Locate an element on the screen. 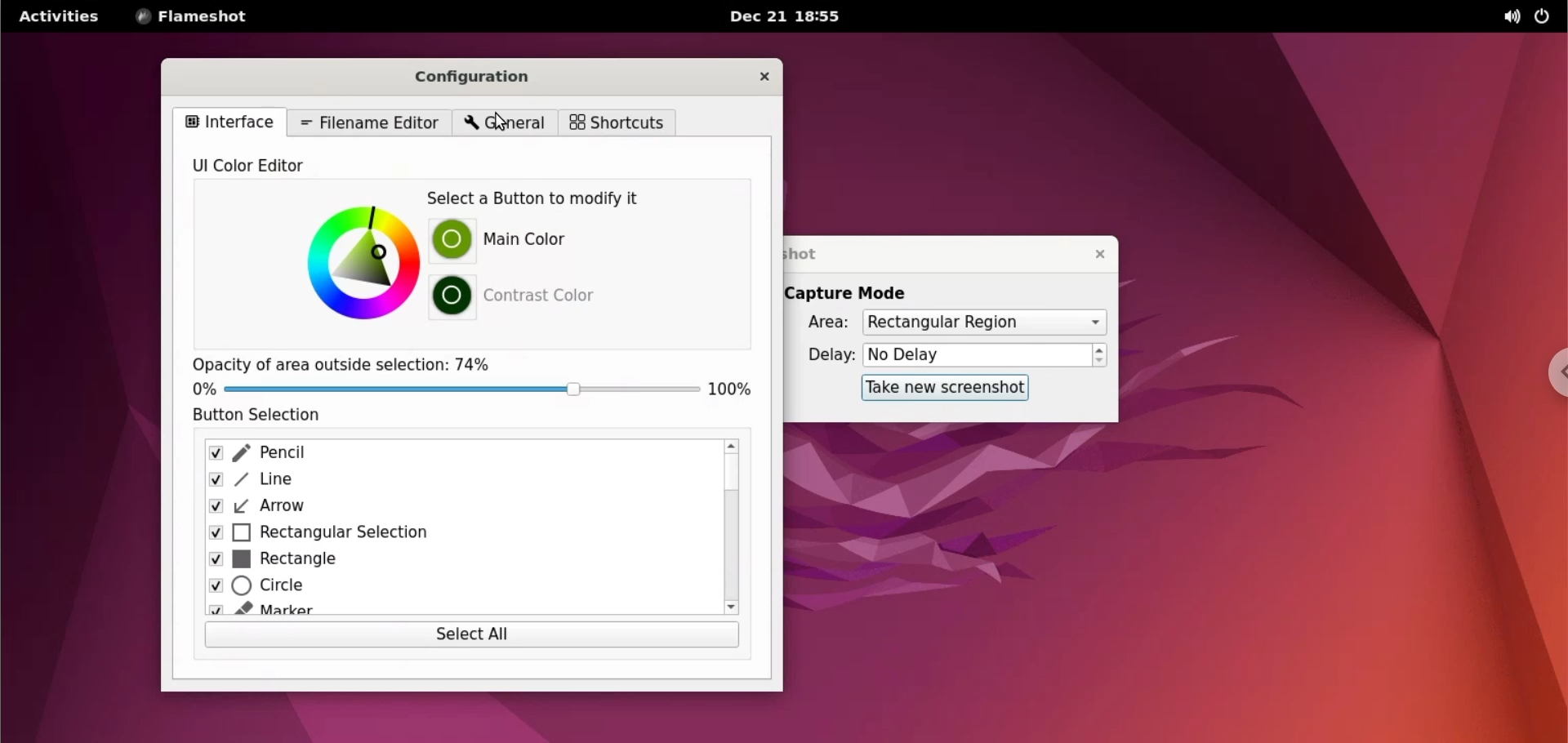  contrast color is located at coordinates (545, 293).